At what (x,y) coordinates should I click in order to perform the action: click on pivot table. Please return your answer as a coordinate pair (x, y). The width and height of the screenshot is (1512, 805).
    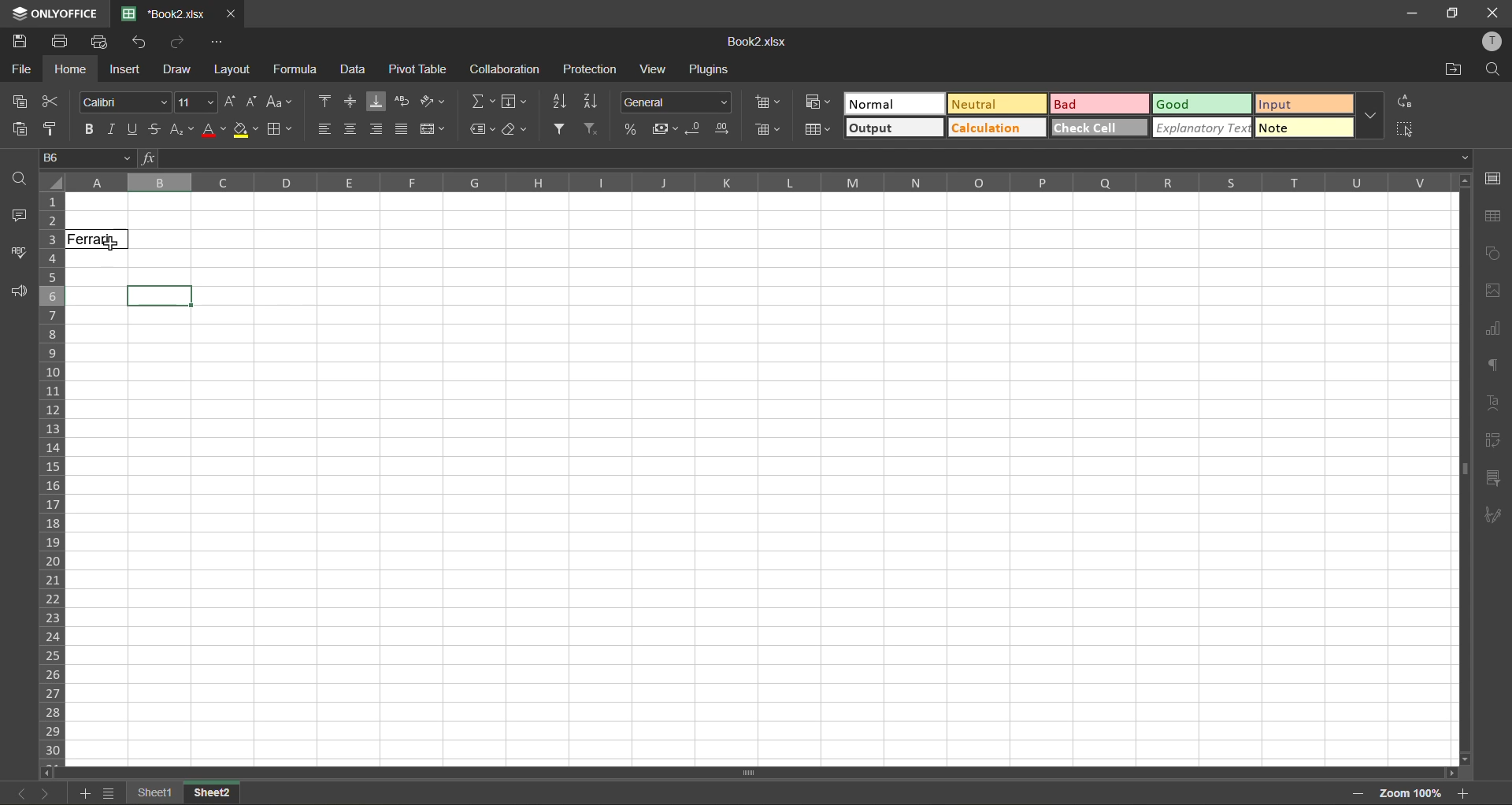
    Looking at the image, I should click on (1492, 440).